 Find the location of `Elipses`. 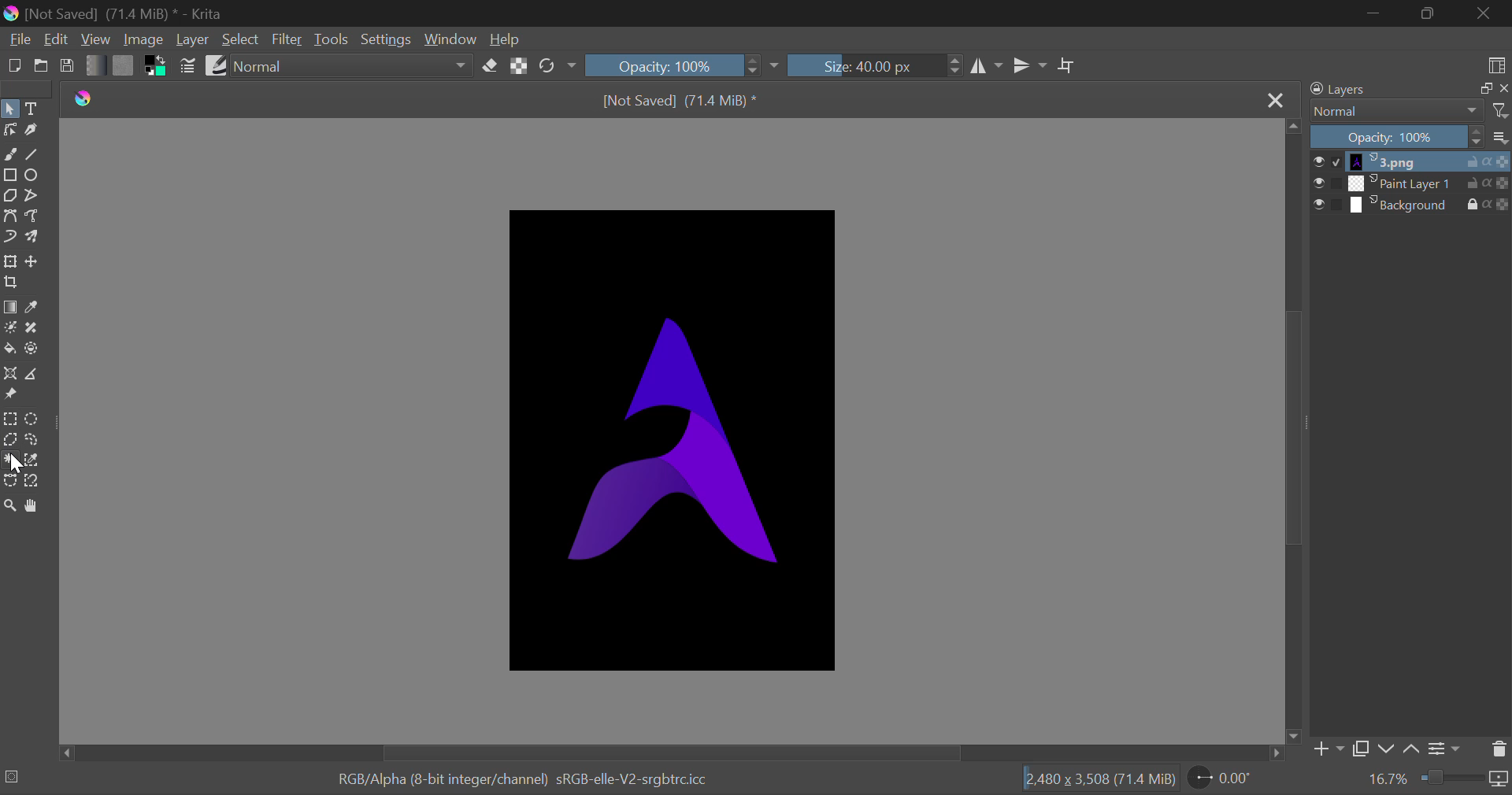

Elipses is located at coordinates (37, 176).